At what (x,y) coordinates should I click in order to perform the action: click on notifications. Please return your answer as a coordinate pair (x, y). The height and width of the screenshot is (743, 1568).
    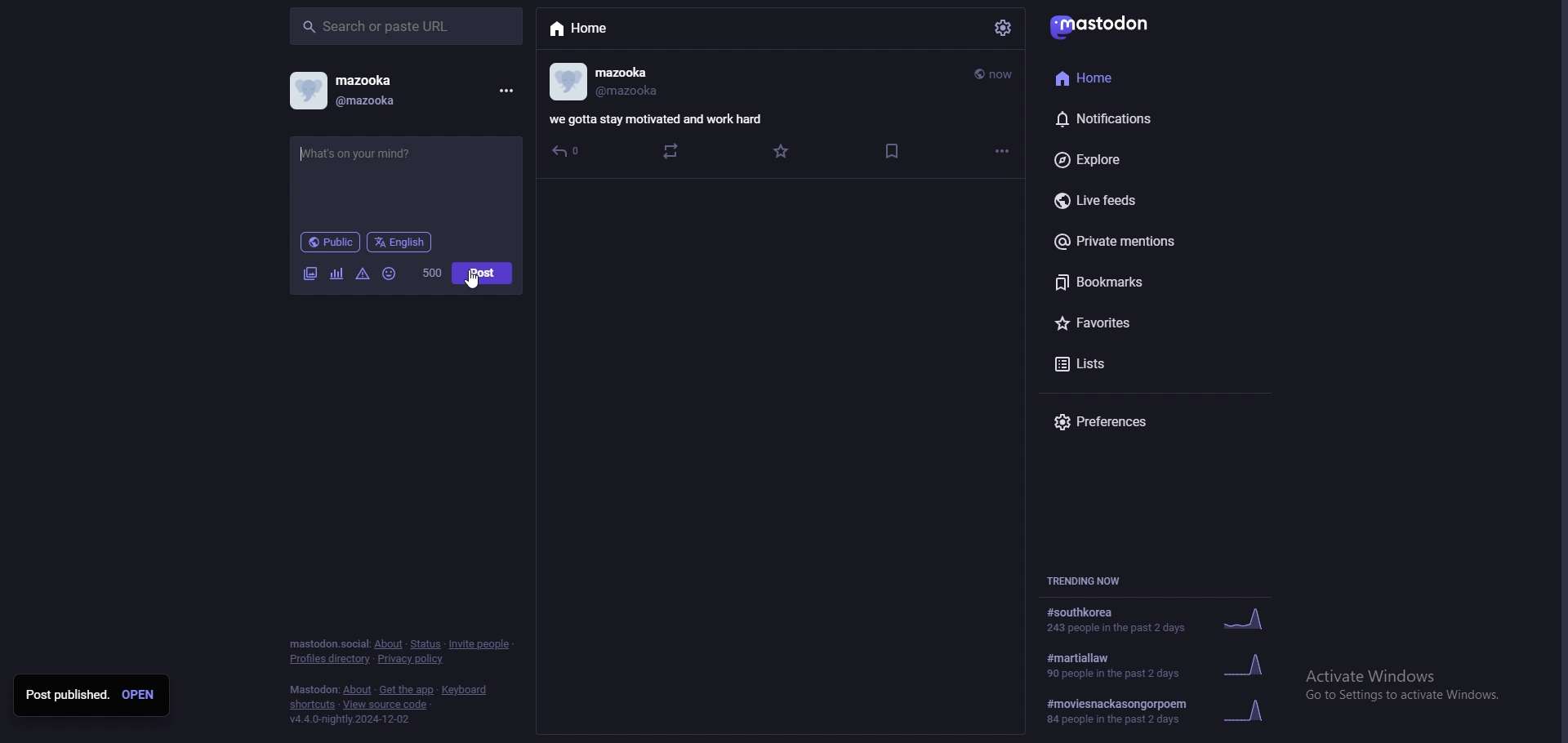
    Looking at the image, I should click on (1127, 118).